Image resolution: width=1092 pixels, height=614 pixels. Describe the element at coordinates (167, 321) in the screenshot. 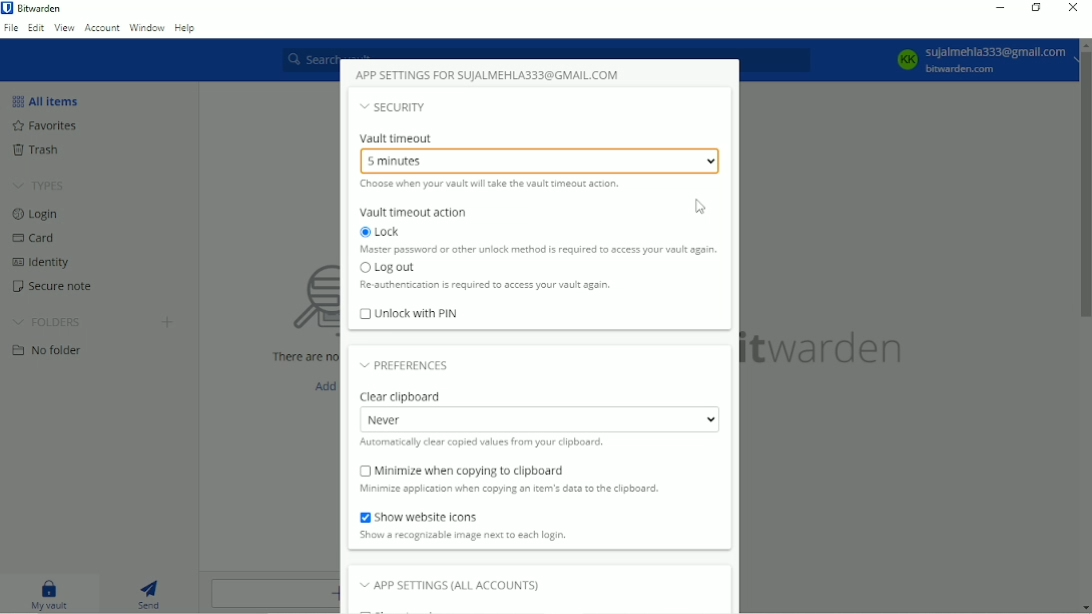

I see `Add folder` at that location.